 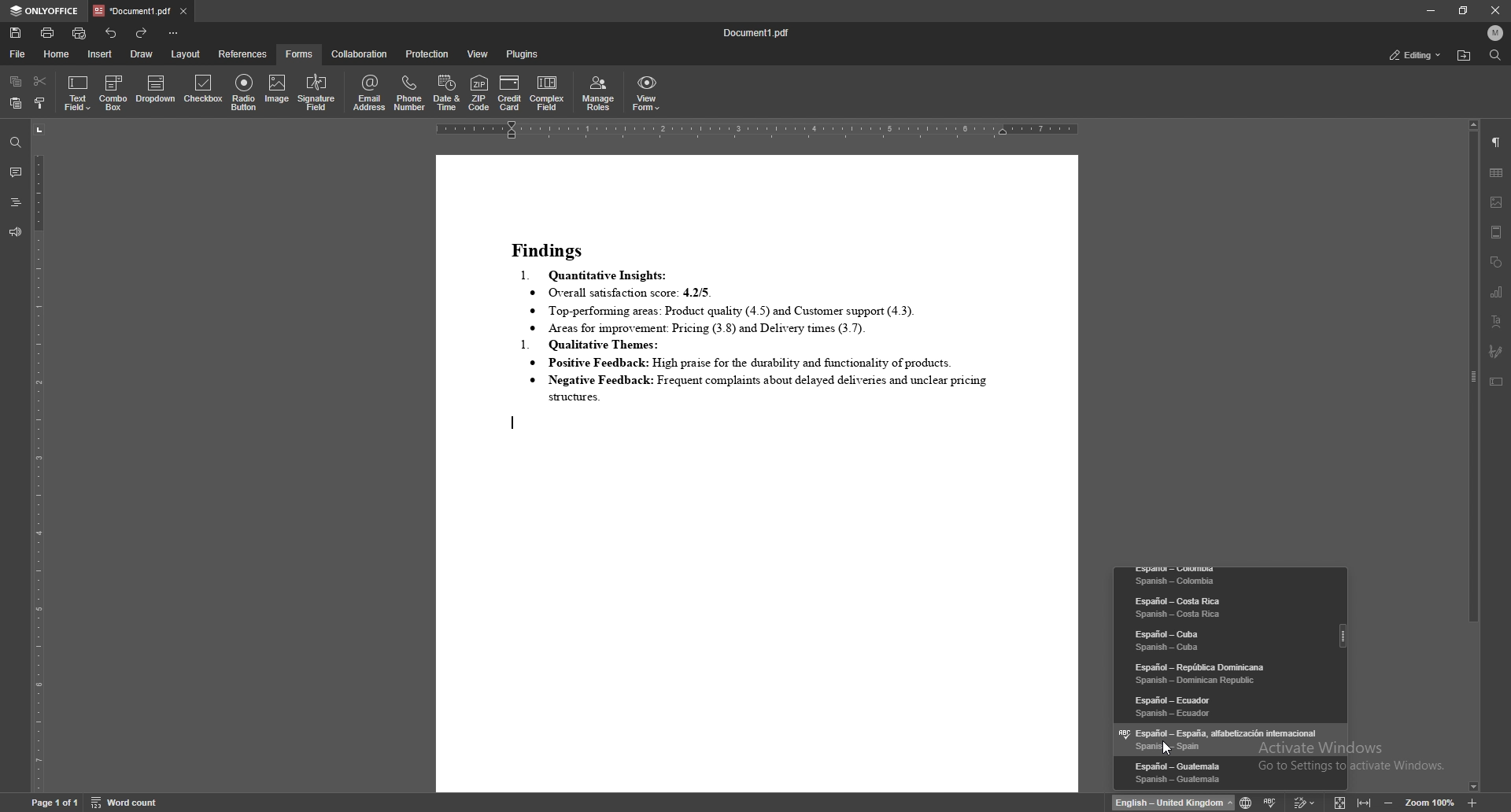 I want to click on fit to width, so click(x=1365, y=803).